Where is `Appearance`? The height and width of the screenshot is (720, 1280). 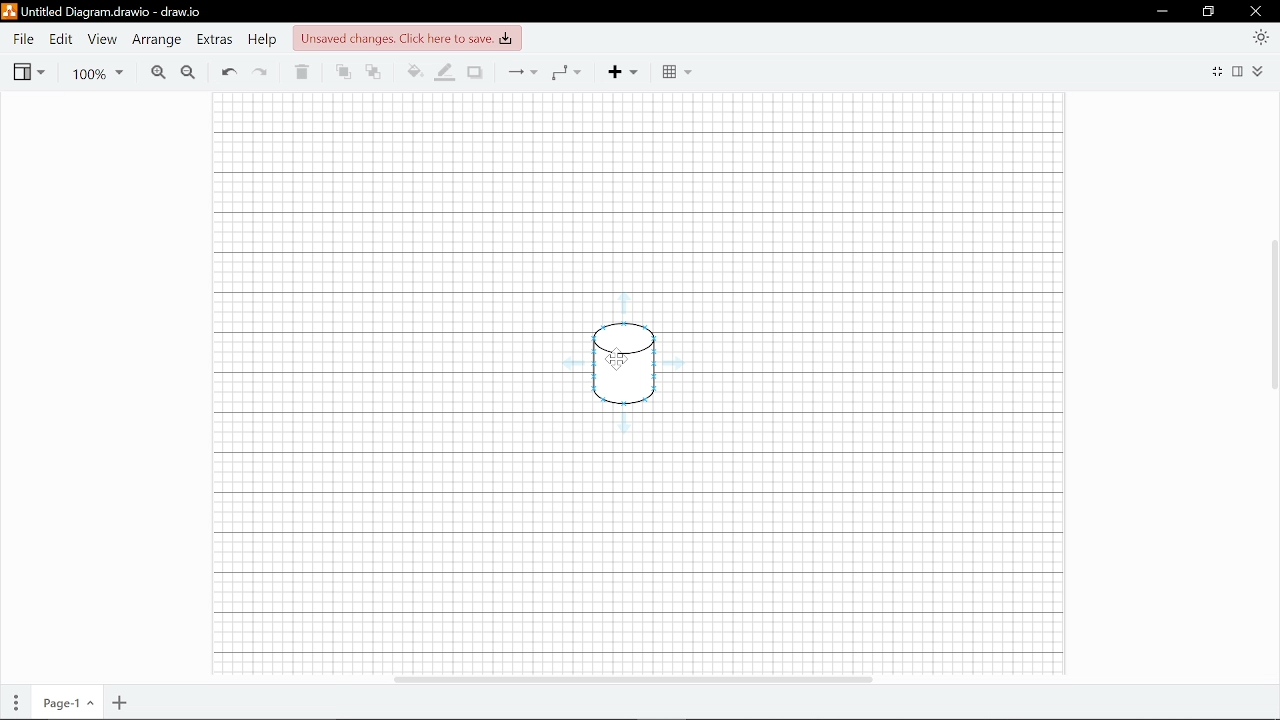 Appearance is located at coordinates (1256, 39).